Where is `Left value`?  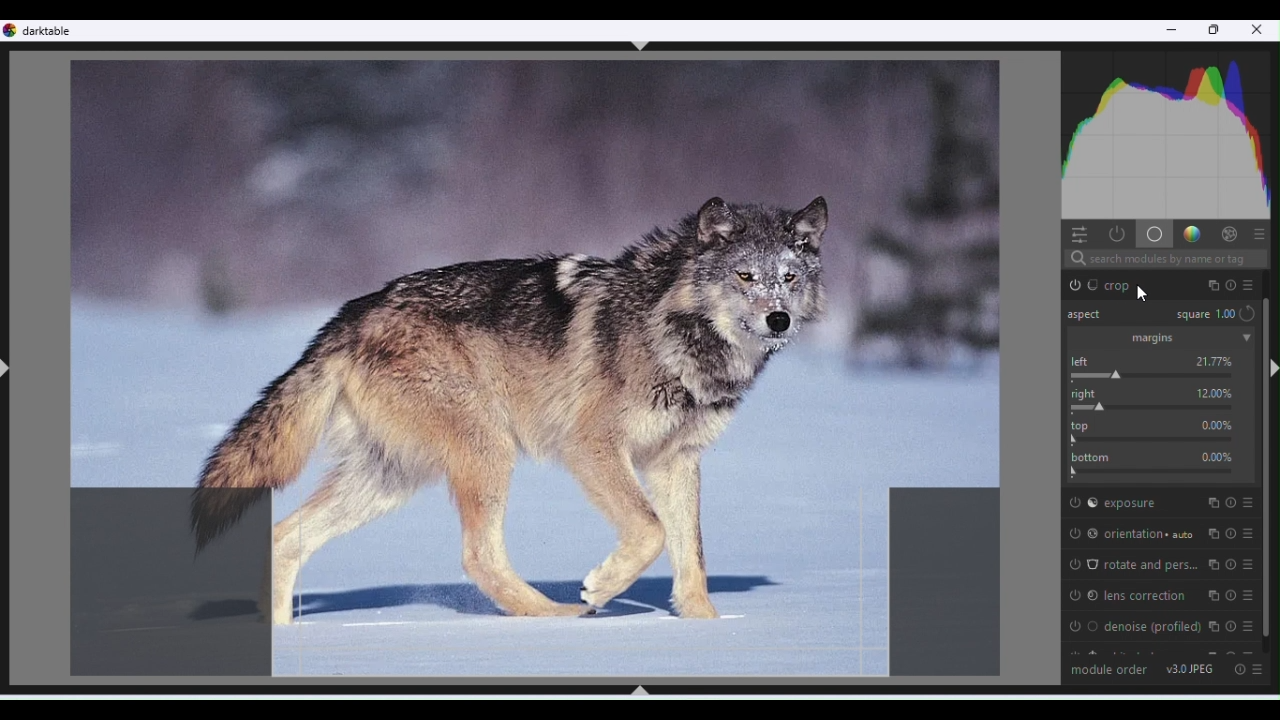
Left value is located at coordinates (1161, 375).